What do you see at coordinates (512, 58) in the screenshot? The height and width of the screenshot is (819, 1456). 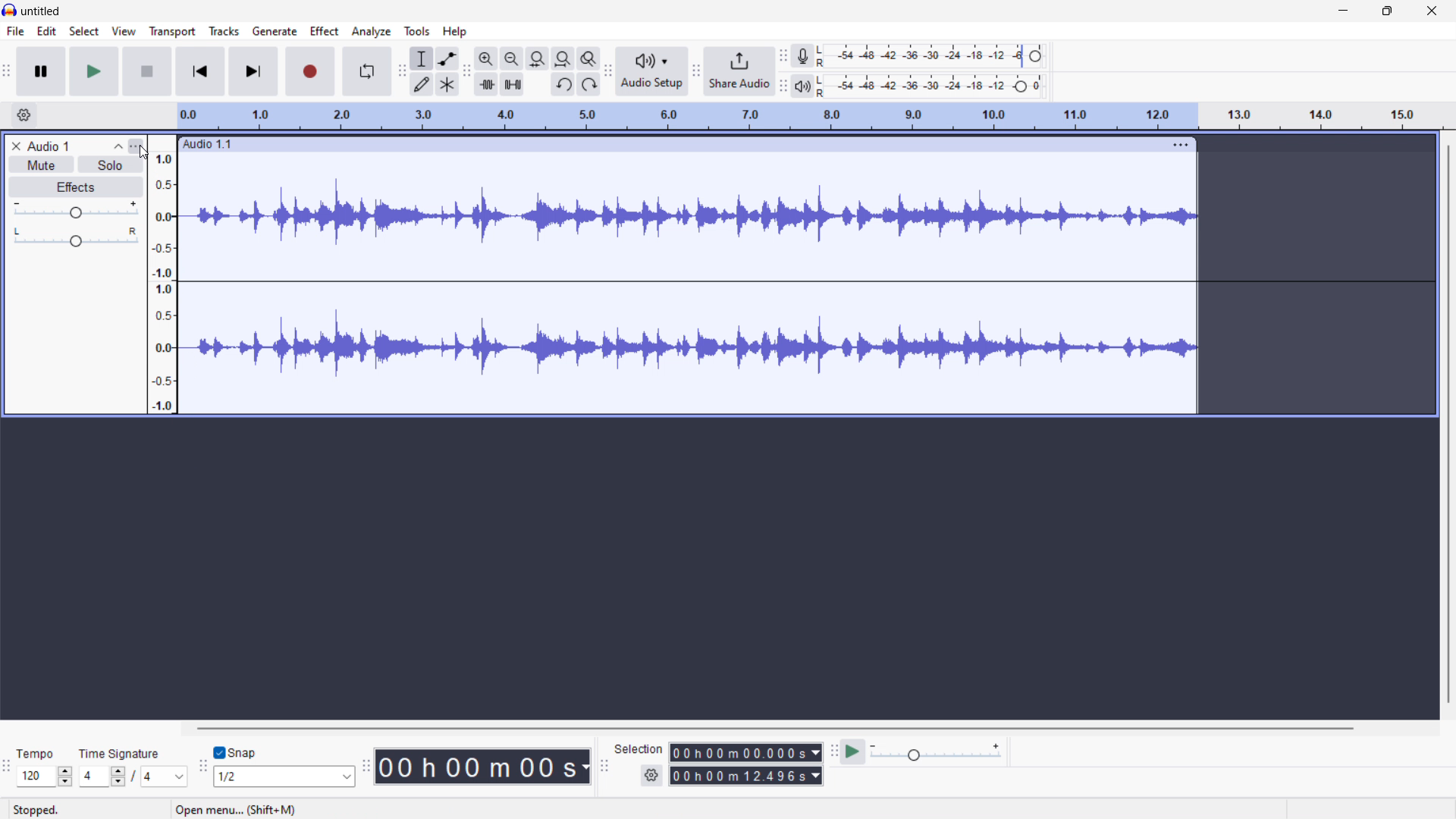 I see `zoom out` at bounding box center [512, 58].